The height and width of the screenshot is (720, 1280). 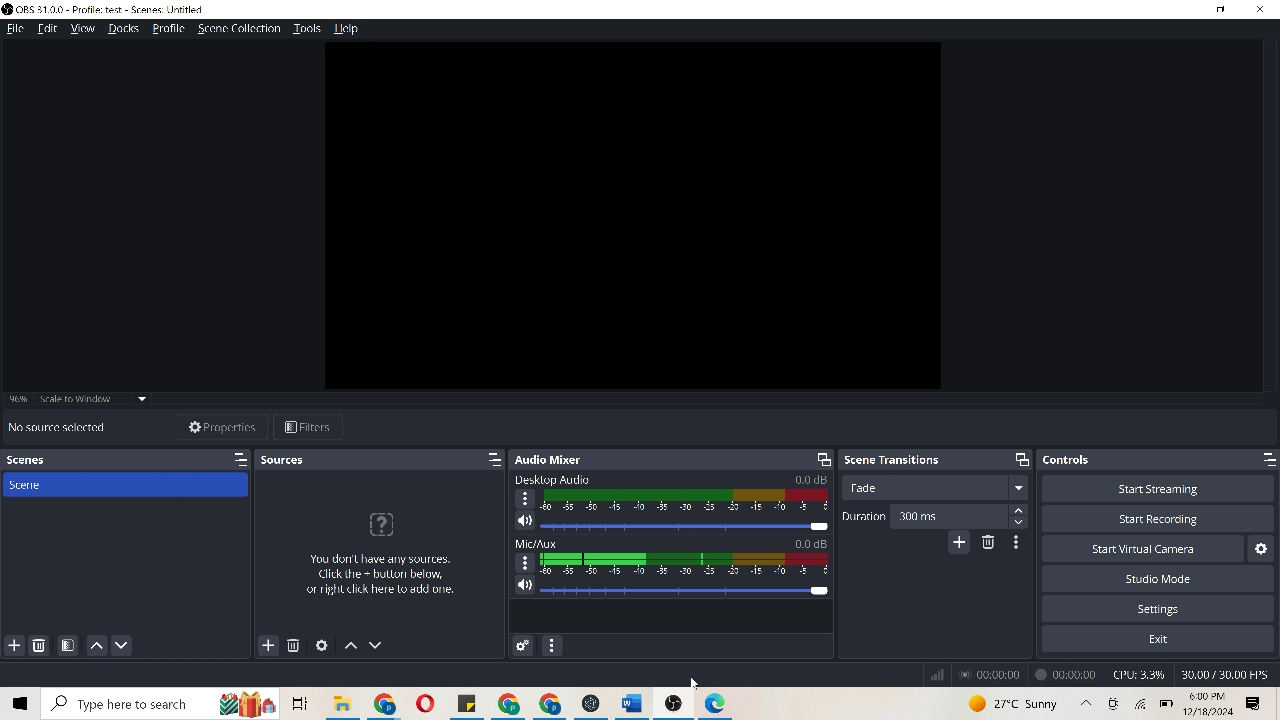 I want to click on studio mode, so click(x=1160, y=581).